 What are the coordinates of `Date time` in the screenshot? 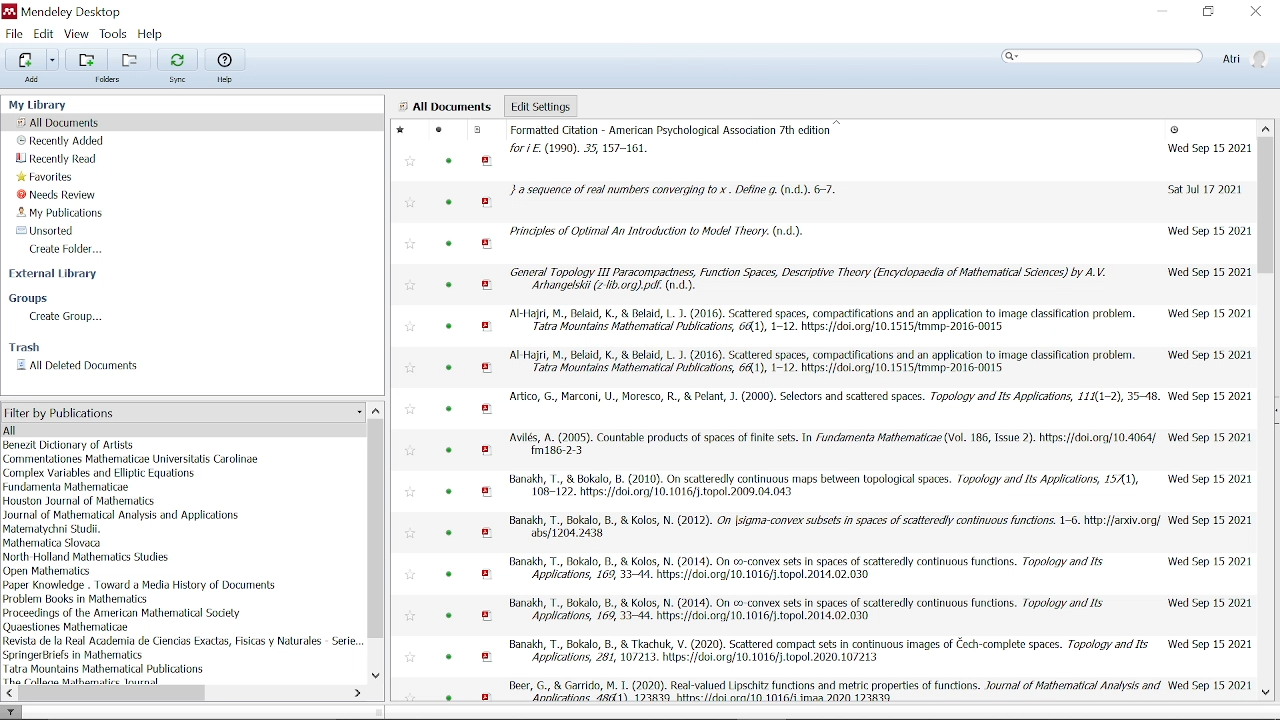 It's located at (1209, 232).